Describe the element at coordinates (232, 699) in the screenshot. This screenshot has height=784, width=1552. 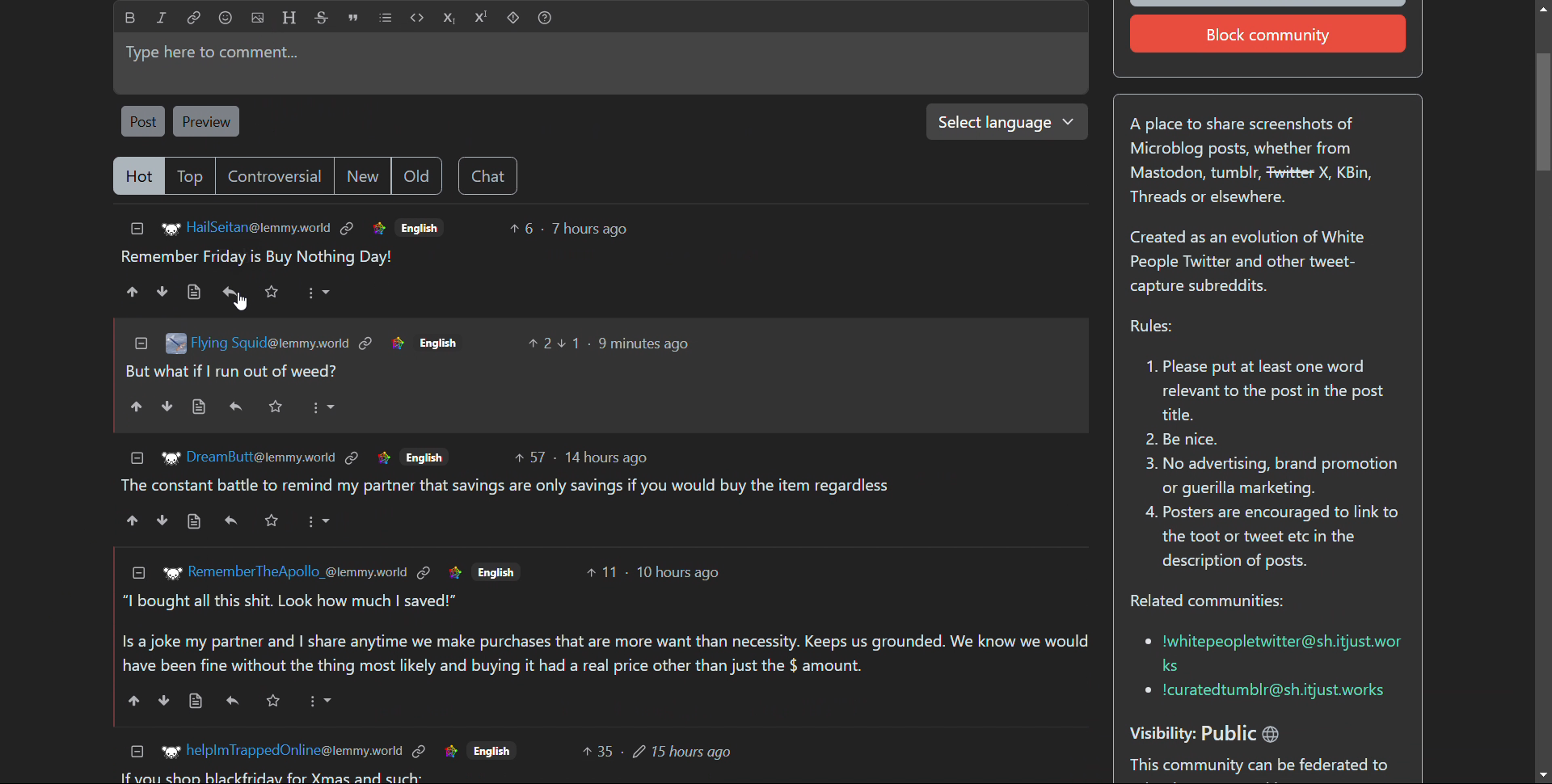
I see `reply` at that location.